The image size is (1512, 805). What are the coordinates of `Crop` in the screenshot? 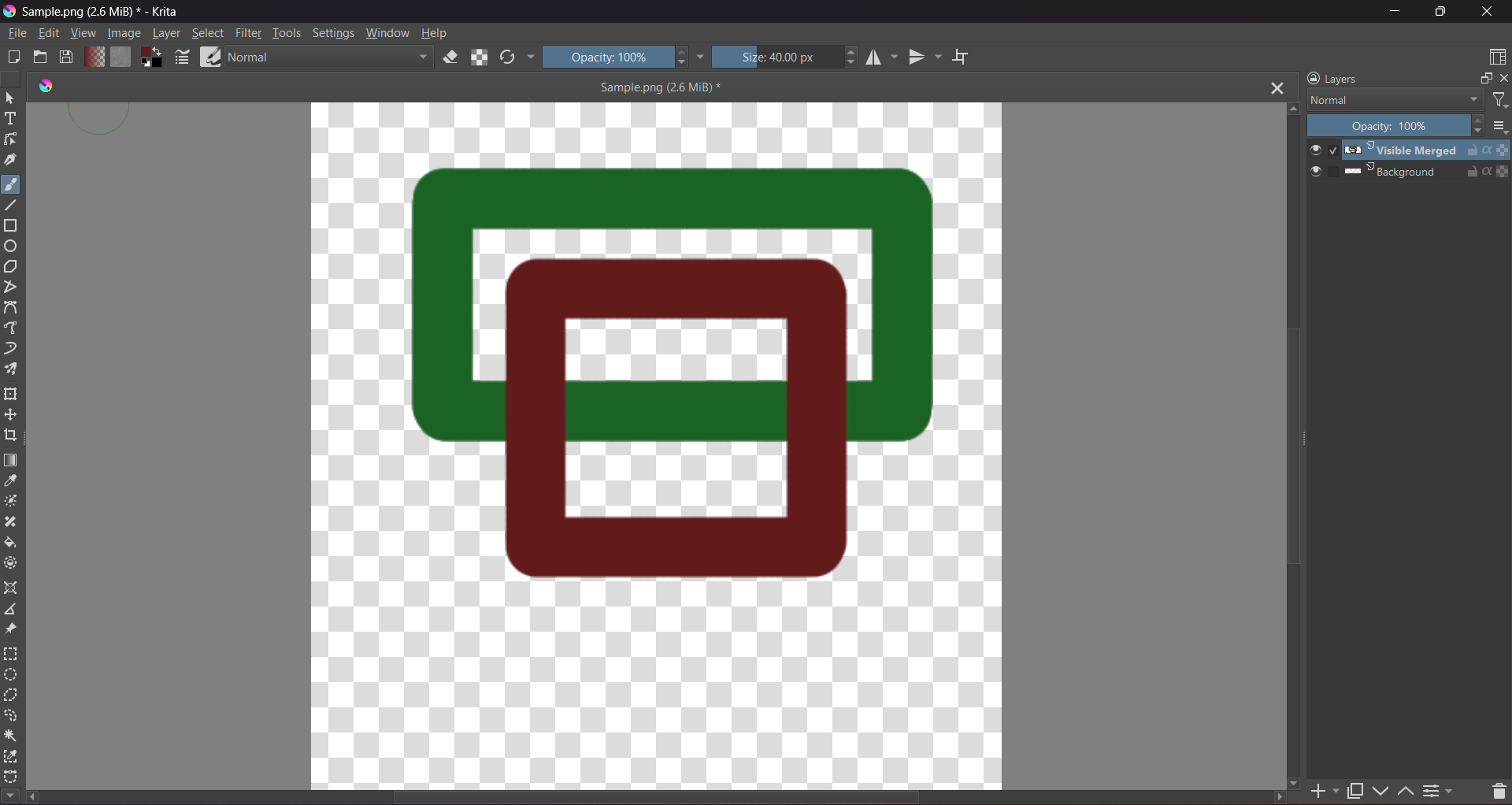 It's located at (11, 436).